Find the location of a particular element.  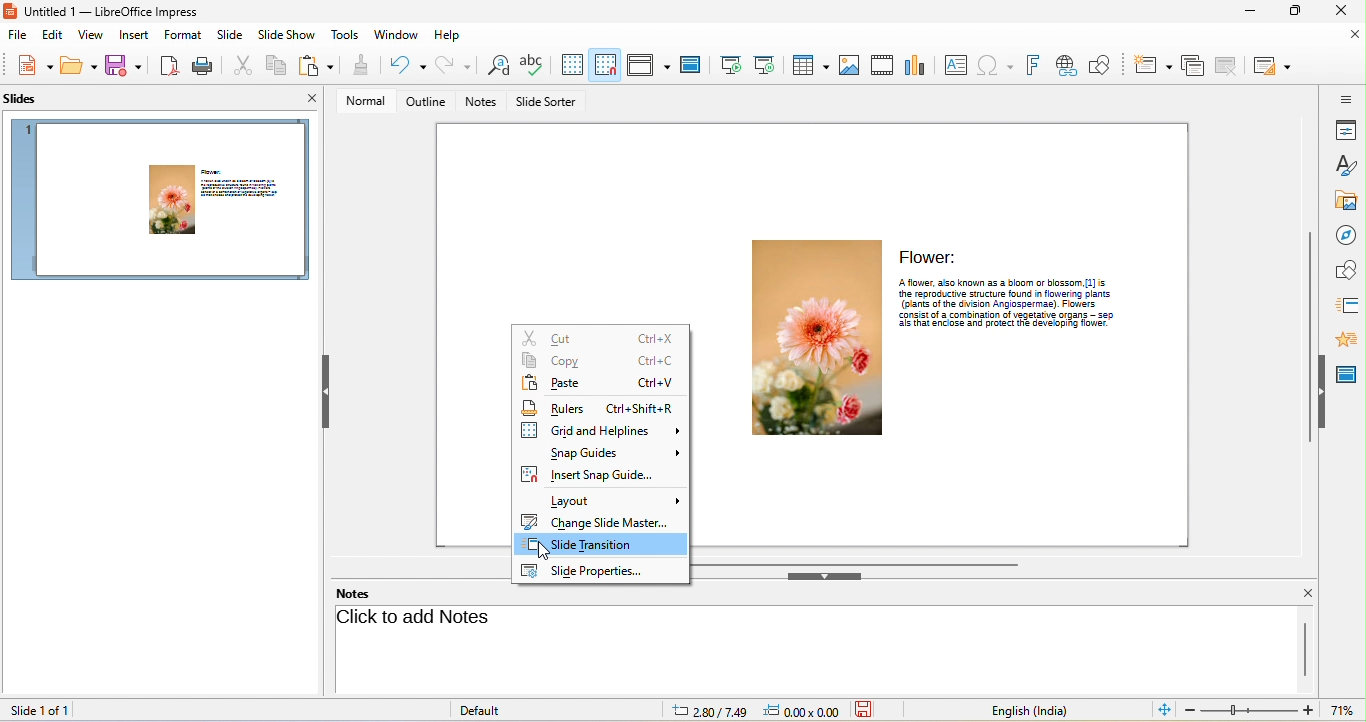

slides is located at coordinates (21, 99).